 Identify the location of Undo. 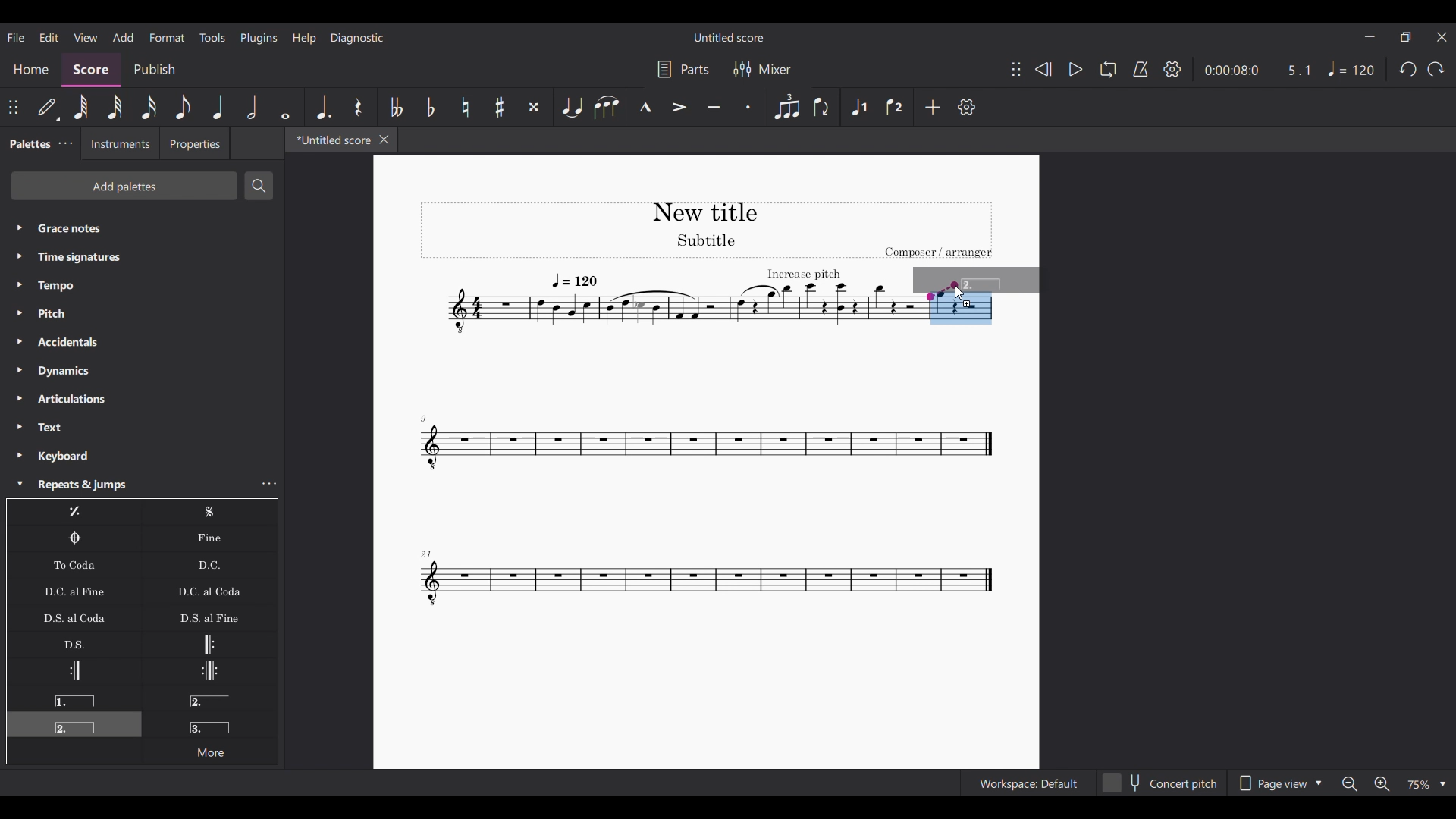
(1409, 69).